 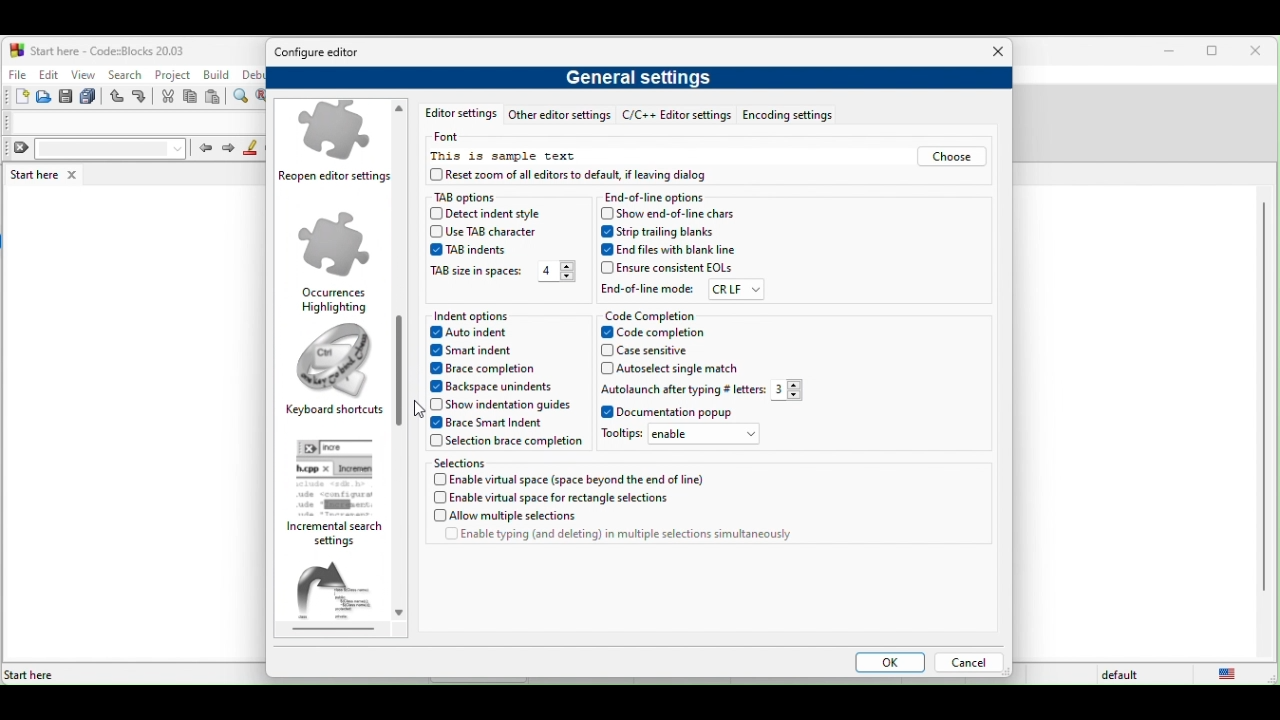 I want to click on build, so click(x=218, y=75).